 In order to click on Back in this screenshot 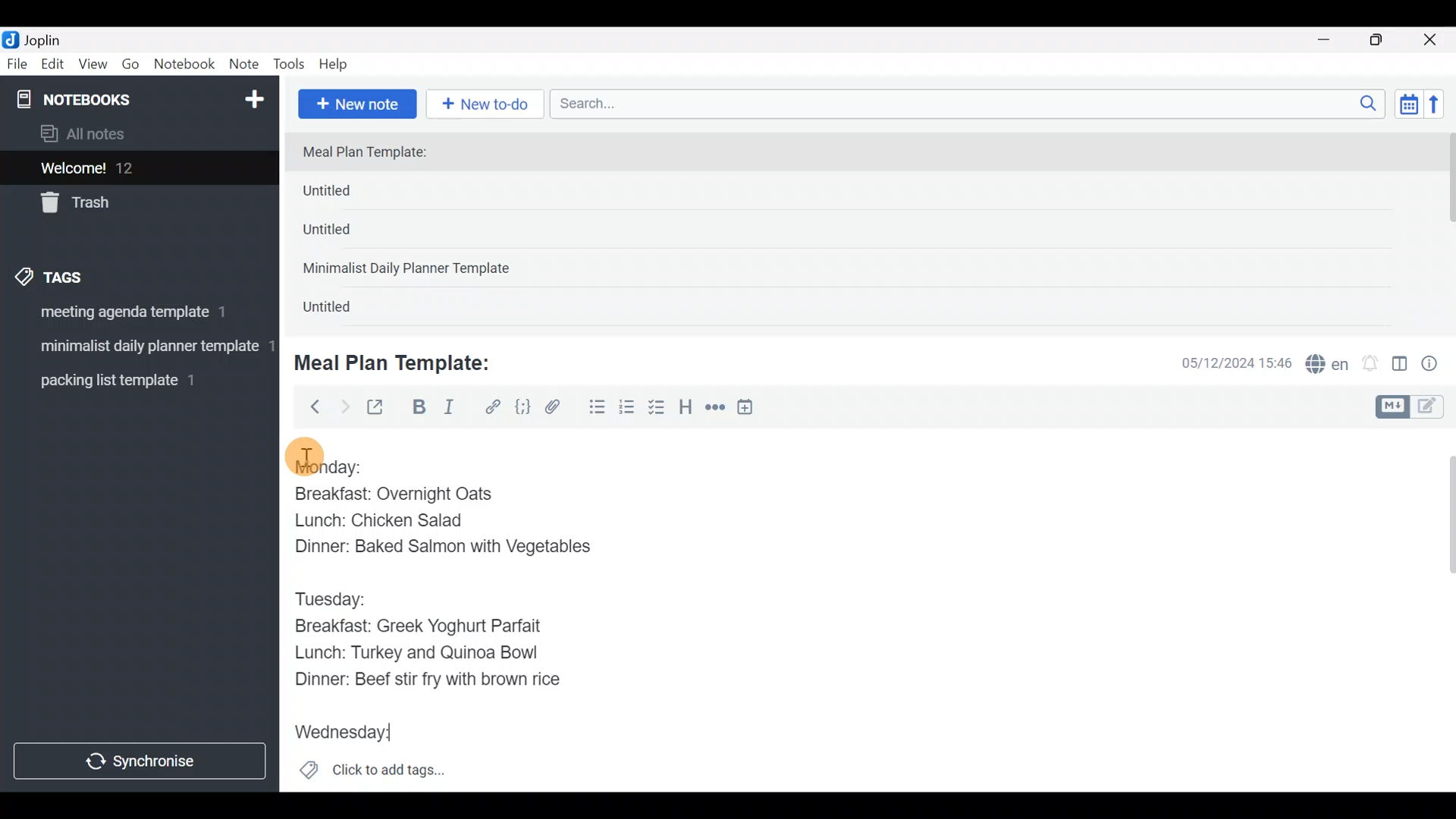, I will do `click(309, 406)`.